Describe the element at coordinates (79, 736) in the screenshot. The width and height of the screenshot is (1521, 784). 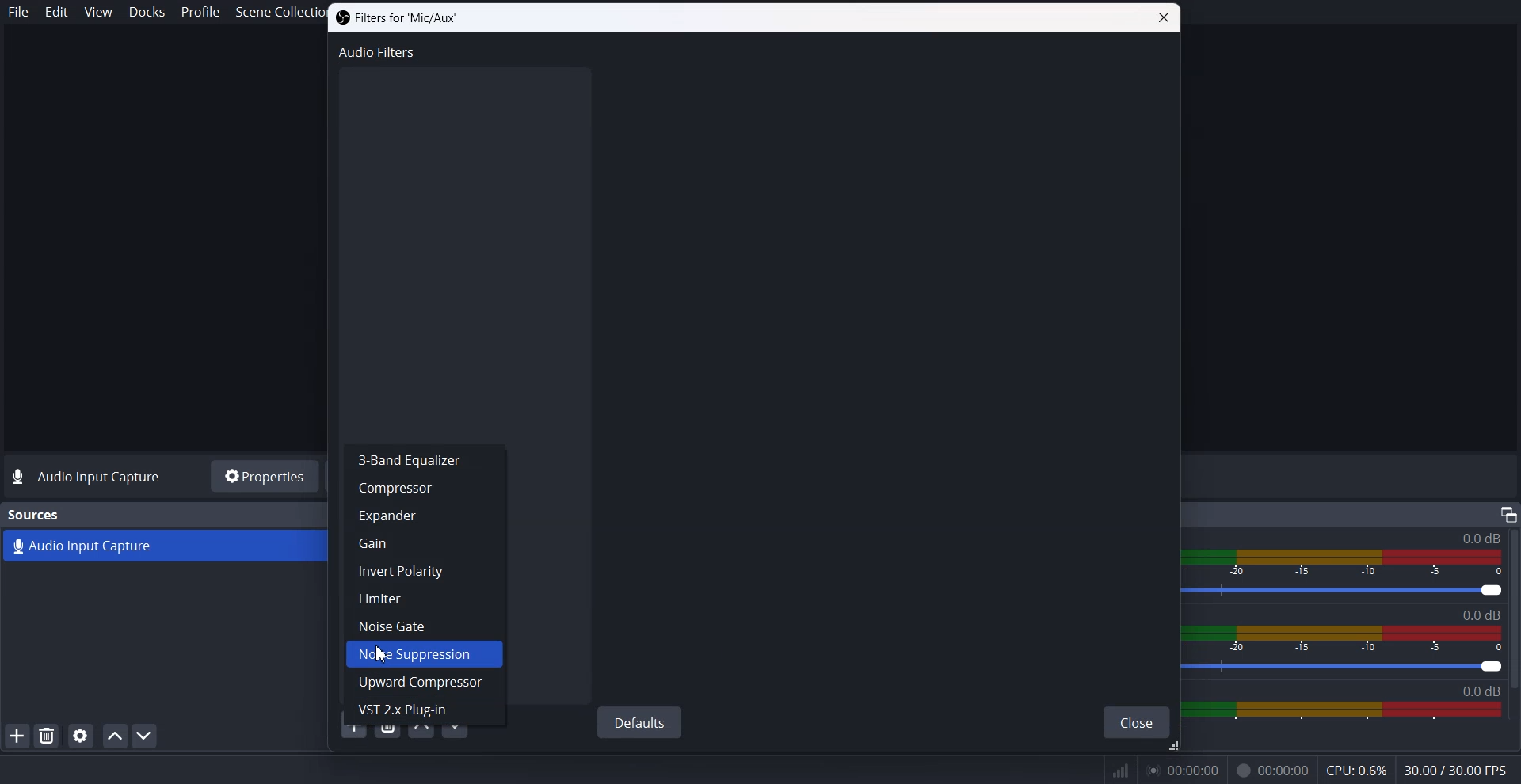
I see `Open source properties` at that location.